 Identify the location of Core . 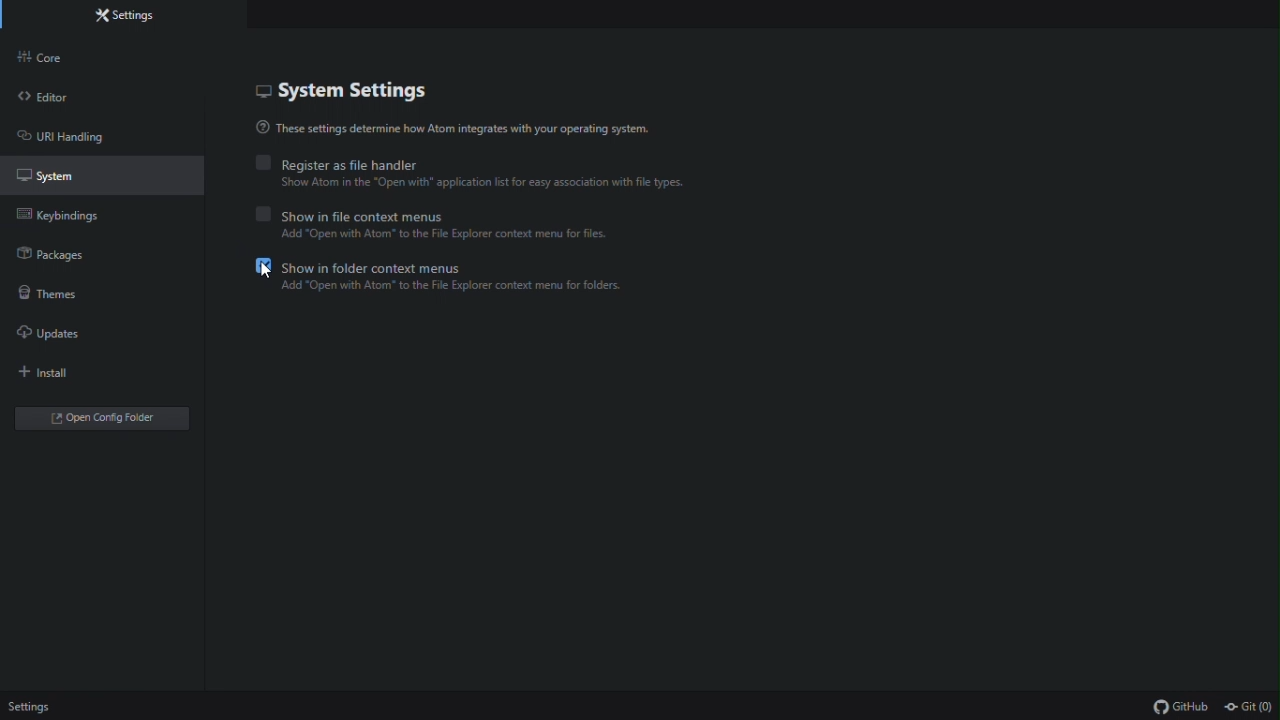
(114, 53).